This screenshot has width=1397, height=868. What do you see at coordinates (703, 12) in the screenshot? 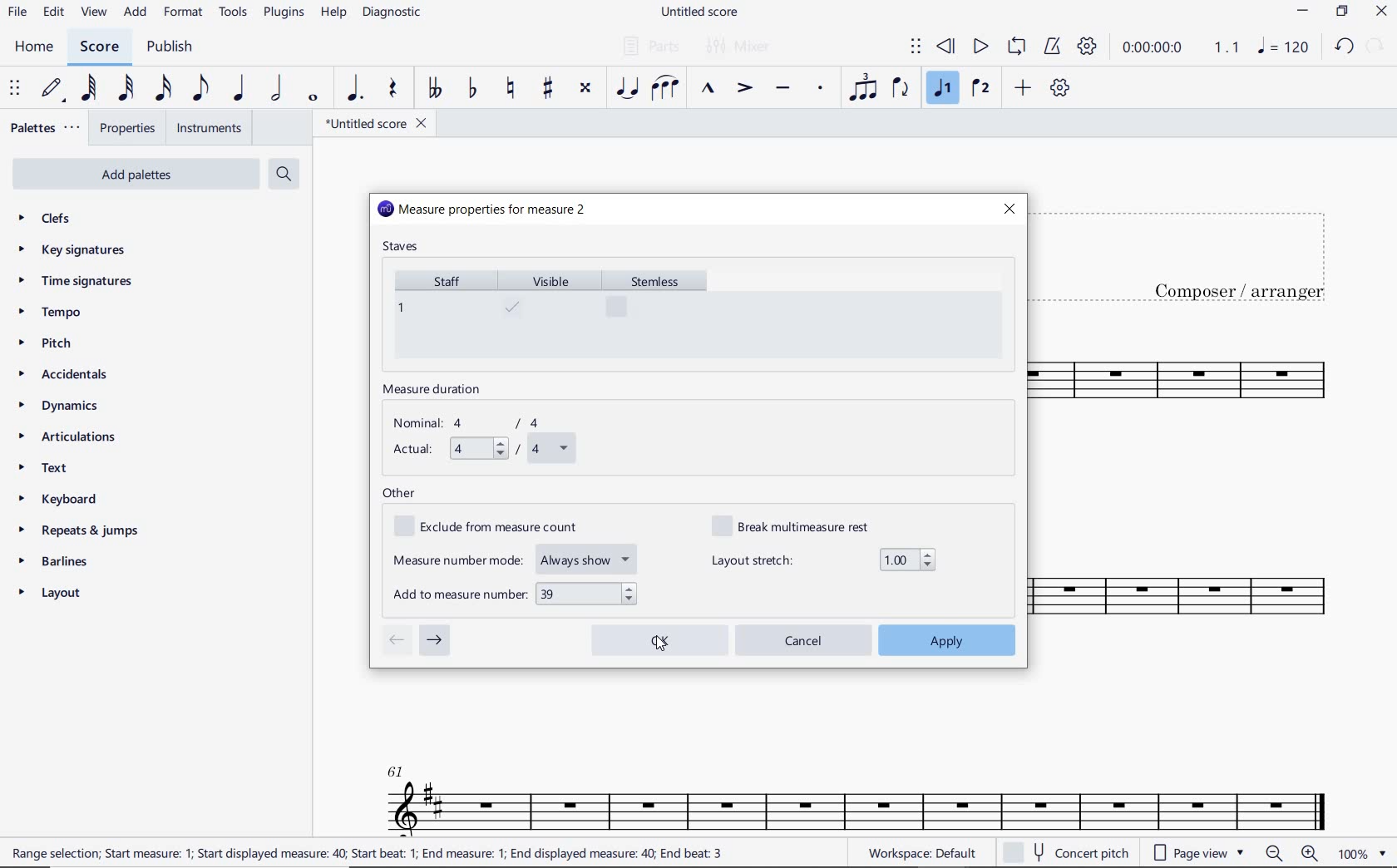
I see `FILE NAME` at bounding box center [703, 12].